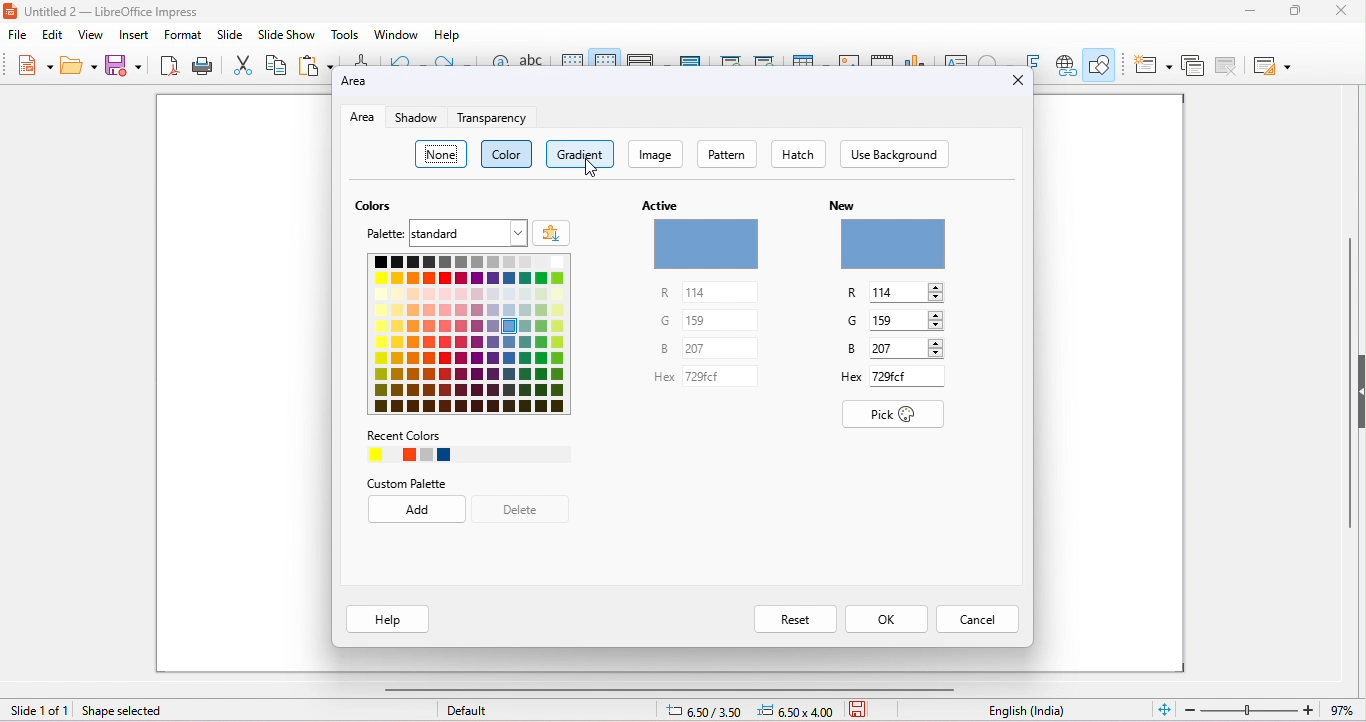 This screenshot has width=1366, height=722. What do you see at coordinates (362, 58) in the screenshot?
I see `clone` at bounding box center [362, 58].